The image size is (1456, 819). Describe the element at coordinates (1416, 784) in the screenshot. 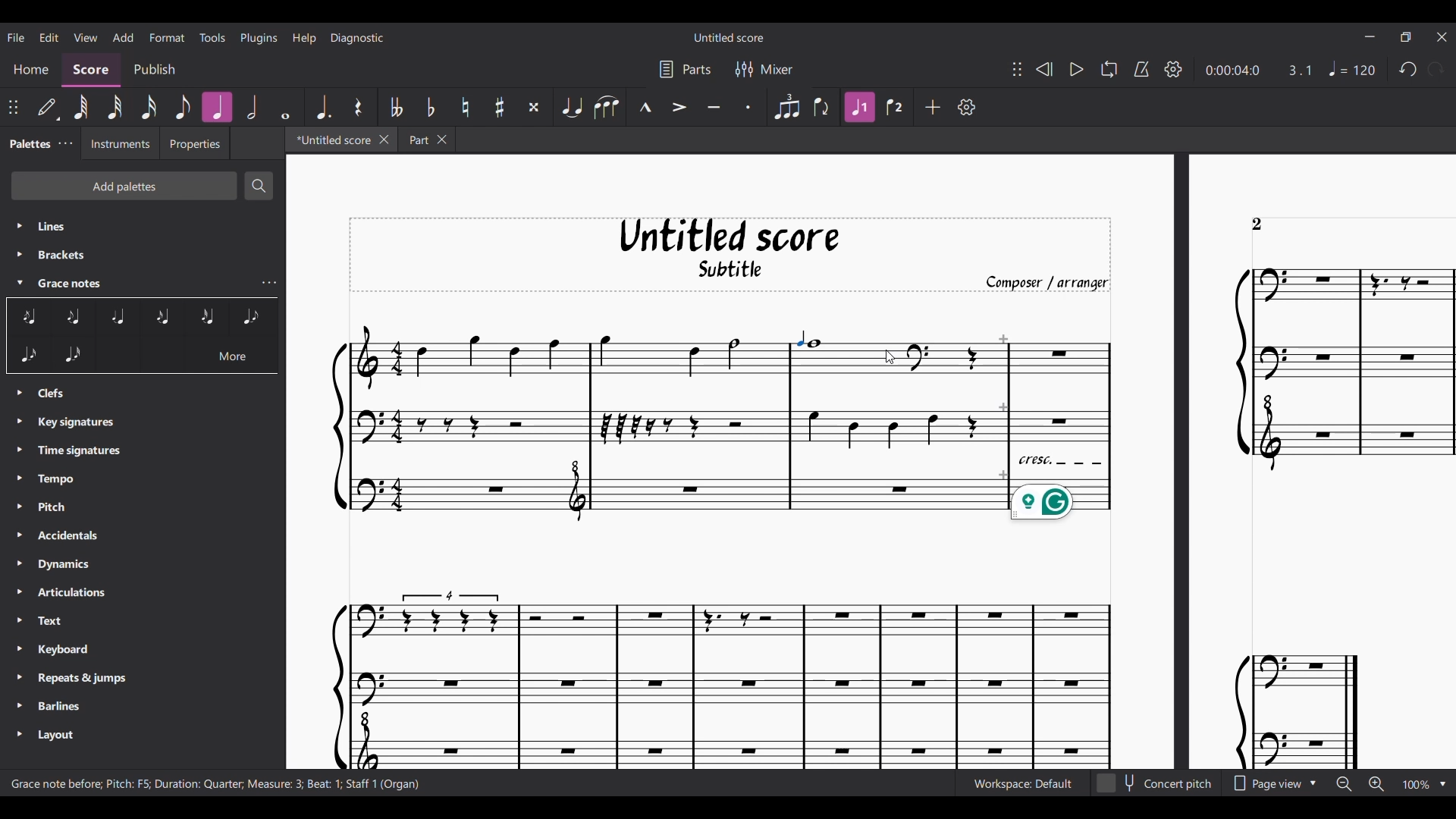

I see `Current zoom factor` at that location.